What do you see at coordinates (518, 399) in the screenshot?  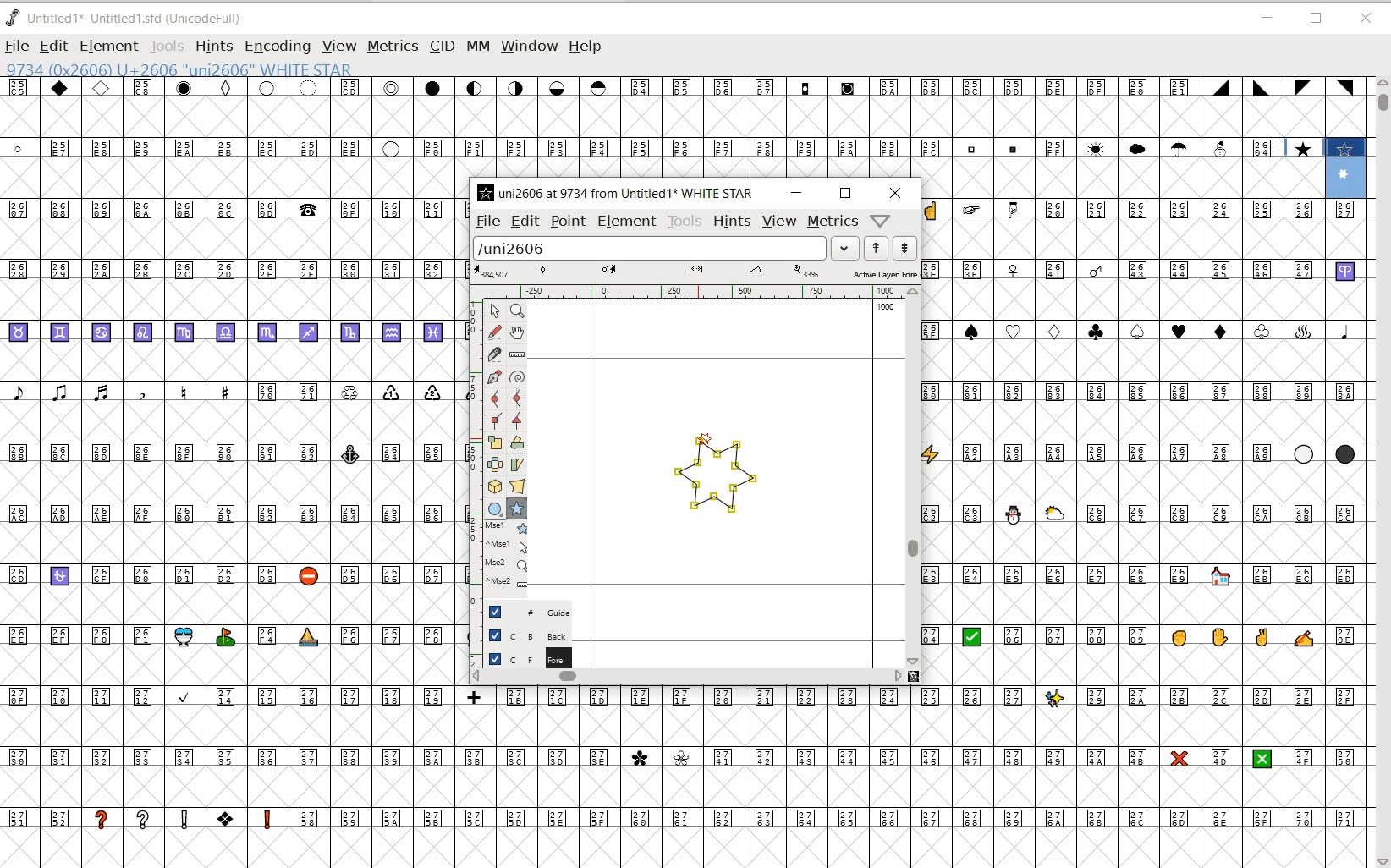 I see `ADD CURVE POINT` at bounding box center [518, 399].